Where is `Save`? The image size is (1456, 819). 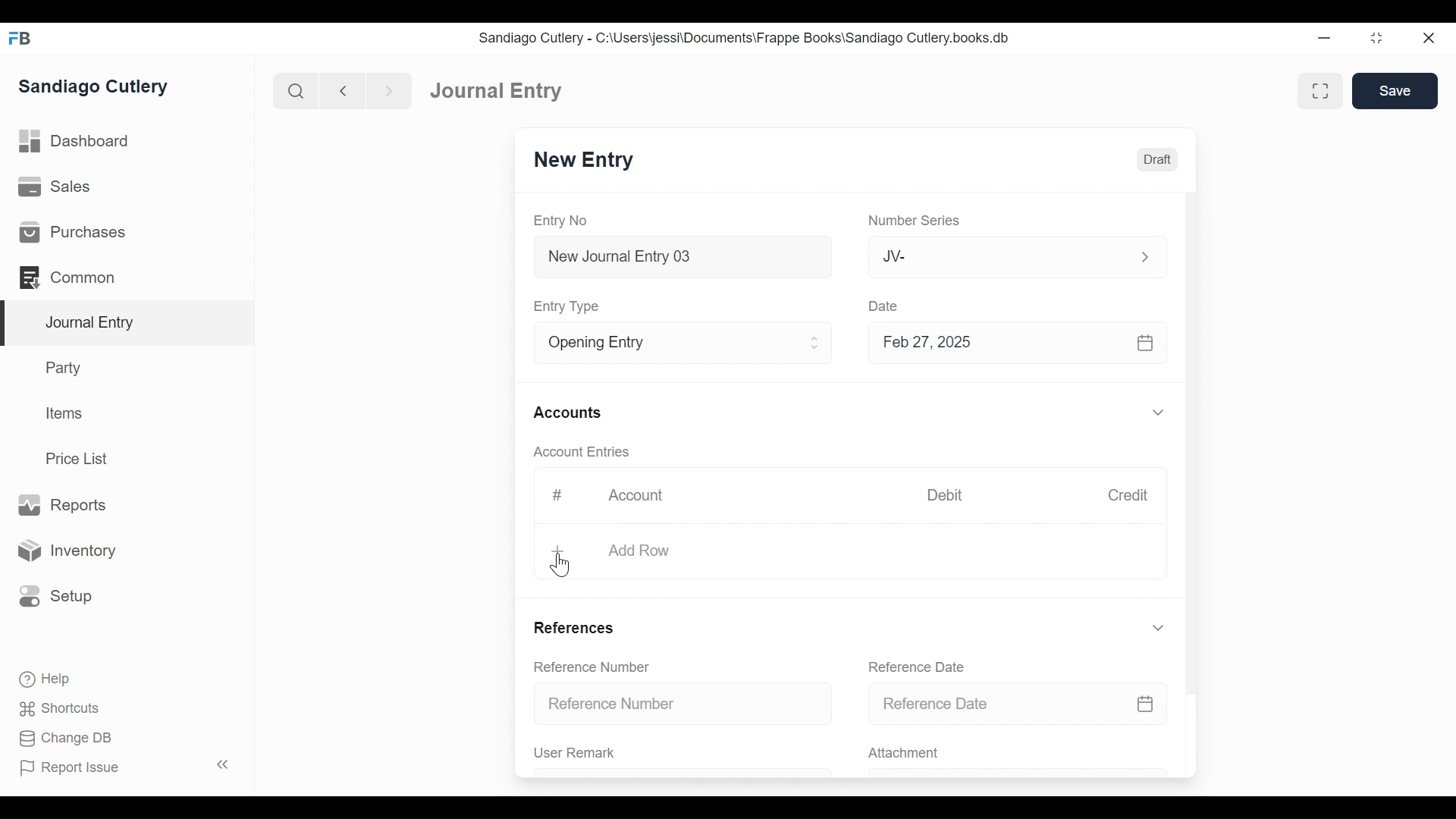
Save is located at coordinates (1397, 91).